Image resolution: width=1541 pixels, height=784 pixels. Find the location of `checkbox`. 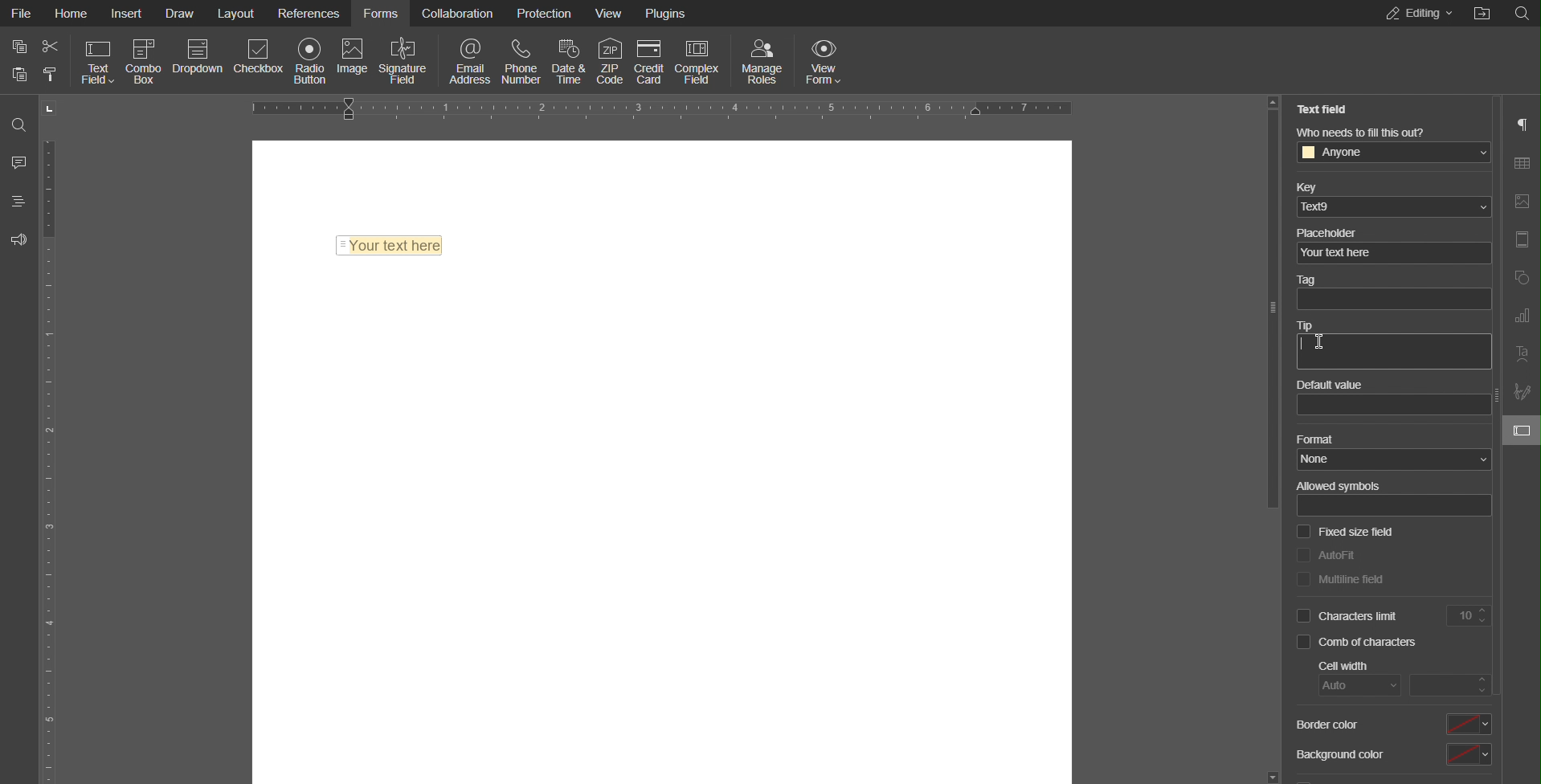

checkbox is located at coordinates (1304, 642).